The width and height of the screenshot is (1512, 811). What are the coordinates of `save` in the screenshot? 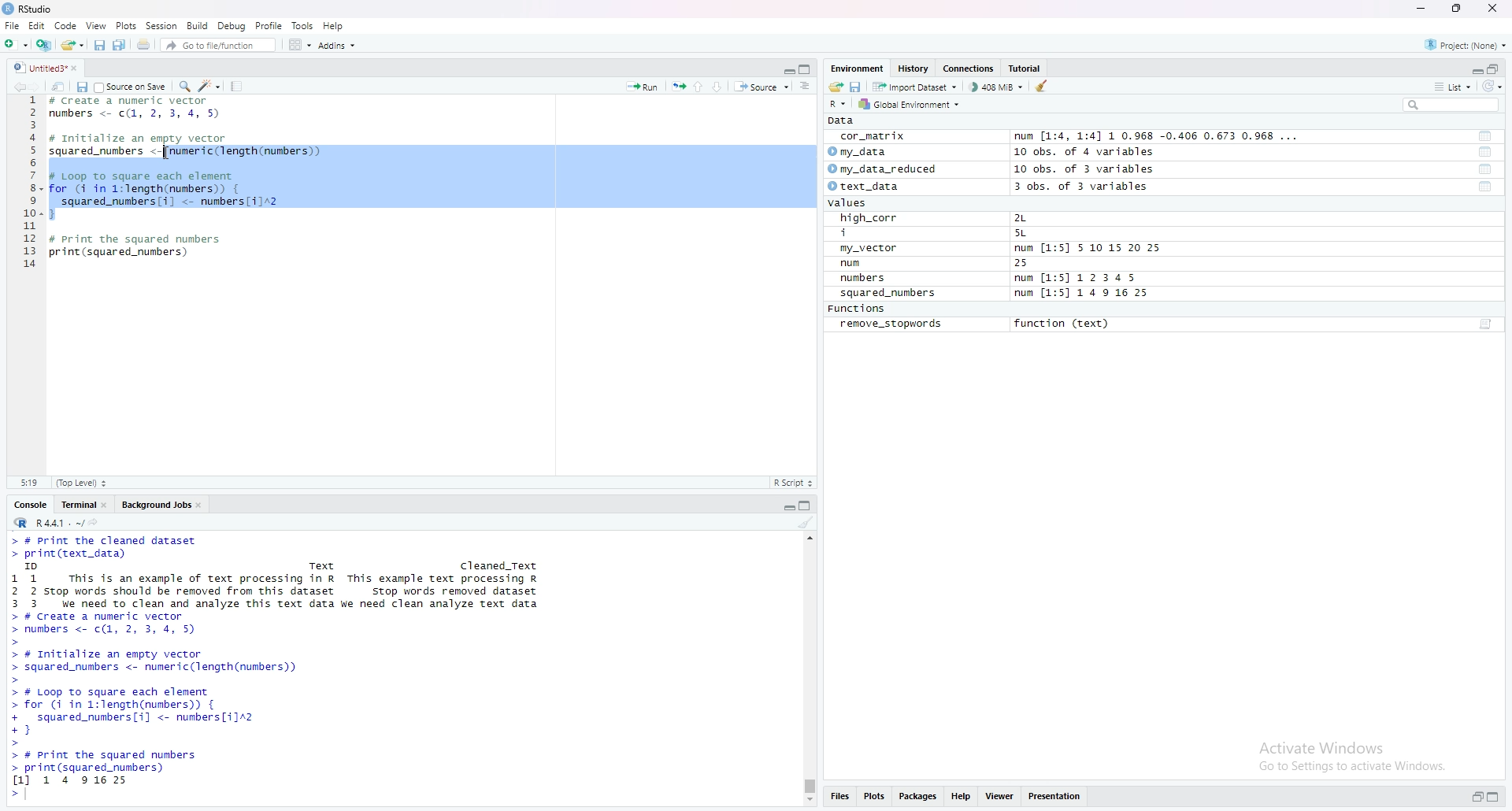 It's located at (81, 86).